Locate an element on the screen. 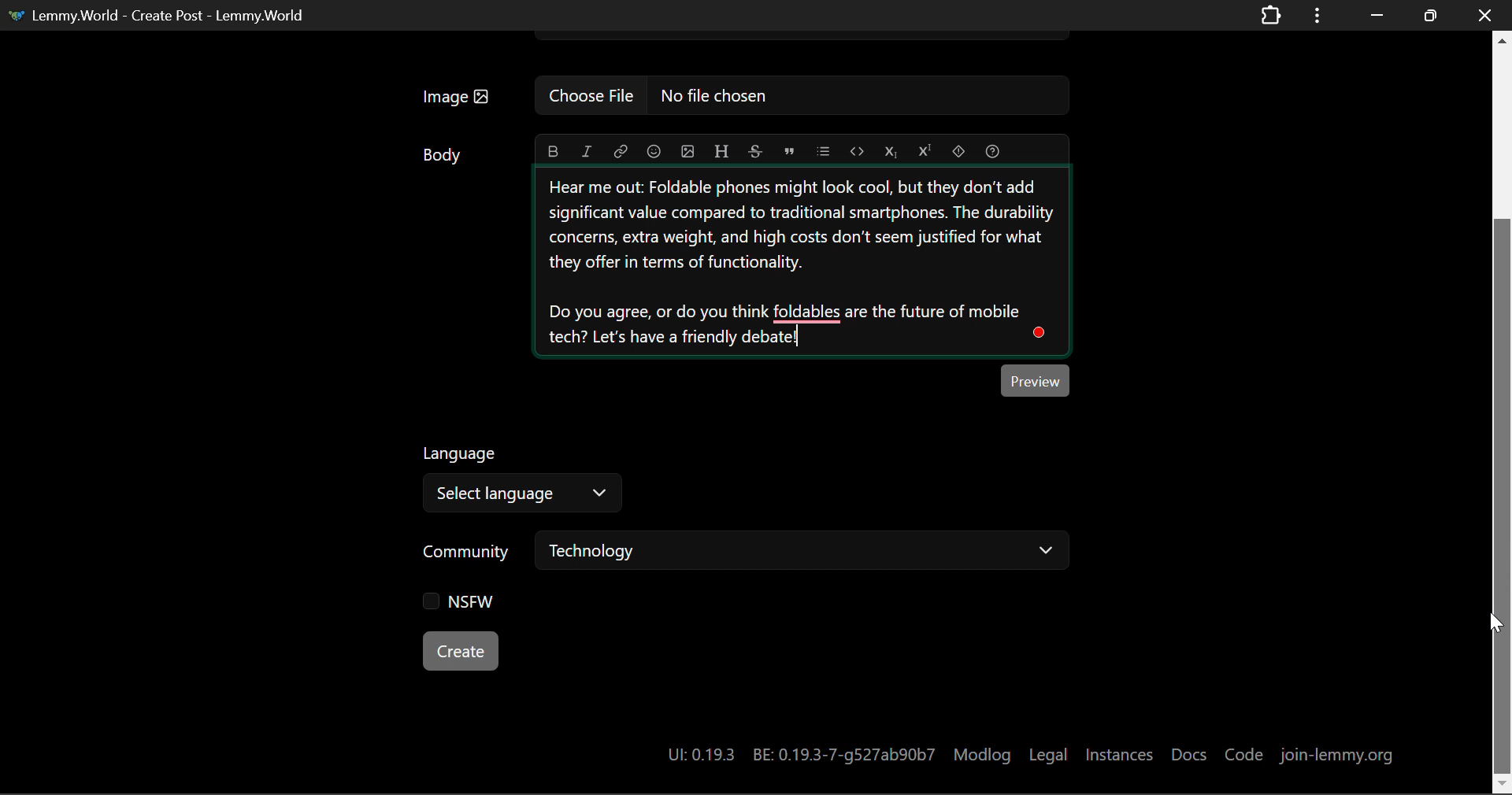 The image size is (1512, 795). Select Post Community is located at coordinates (754, 553).